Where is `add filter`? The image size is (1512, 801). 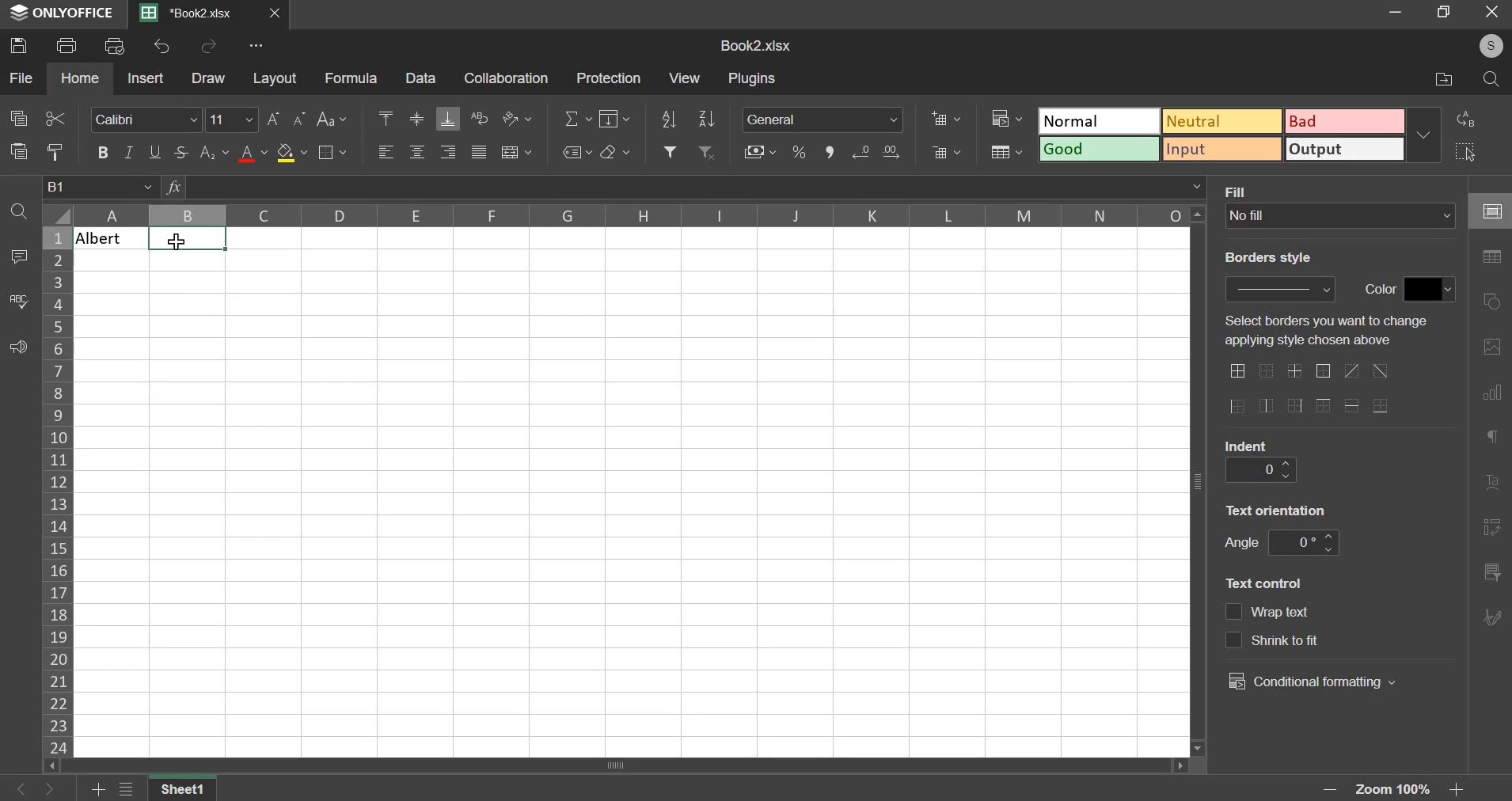 add filter is located at coordinates (671, 151).